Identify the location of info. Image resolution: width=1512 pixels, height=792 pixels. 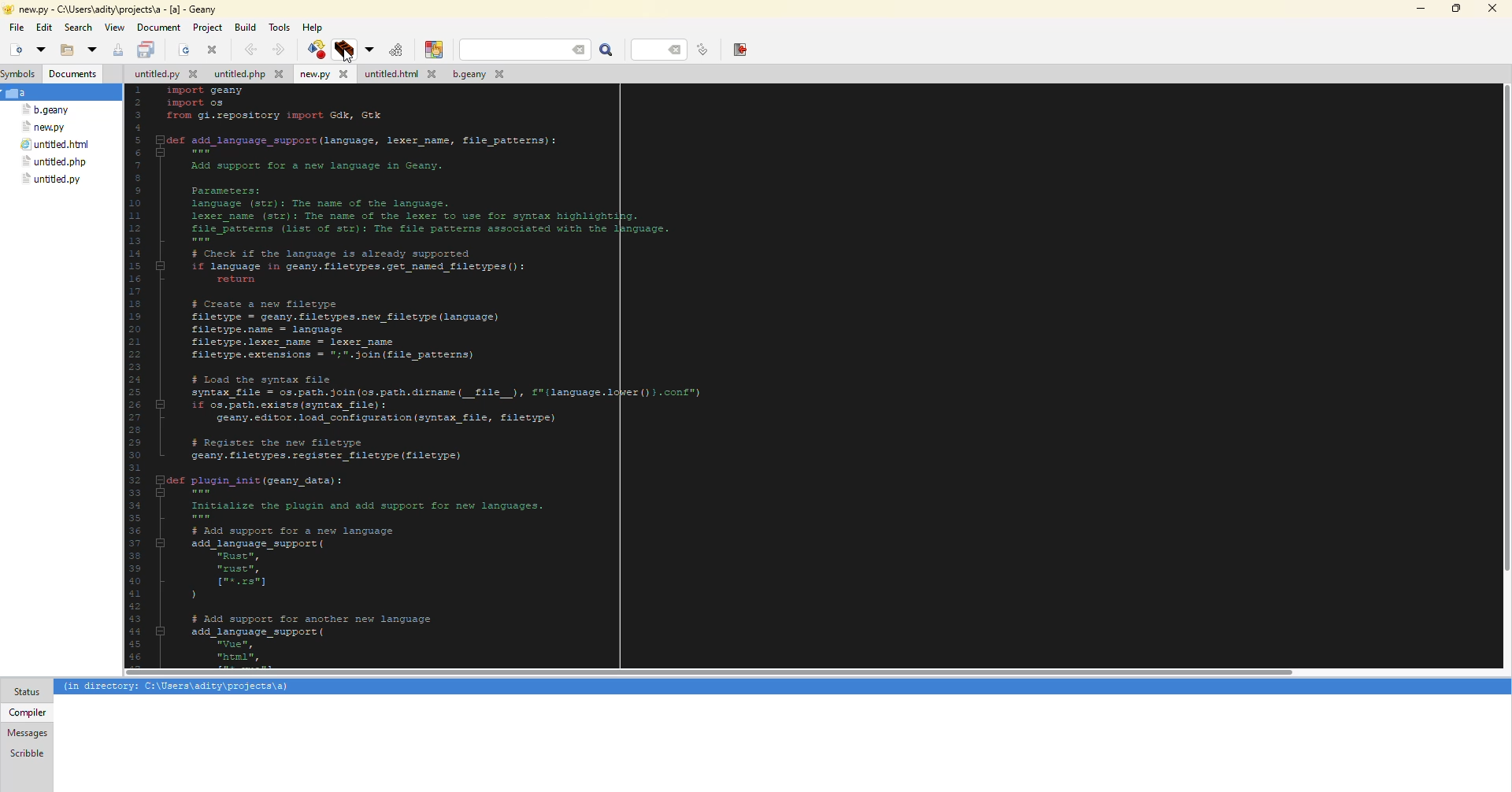
(178, 687).